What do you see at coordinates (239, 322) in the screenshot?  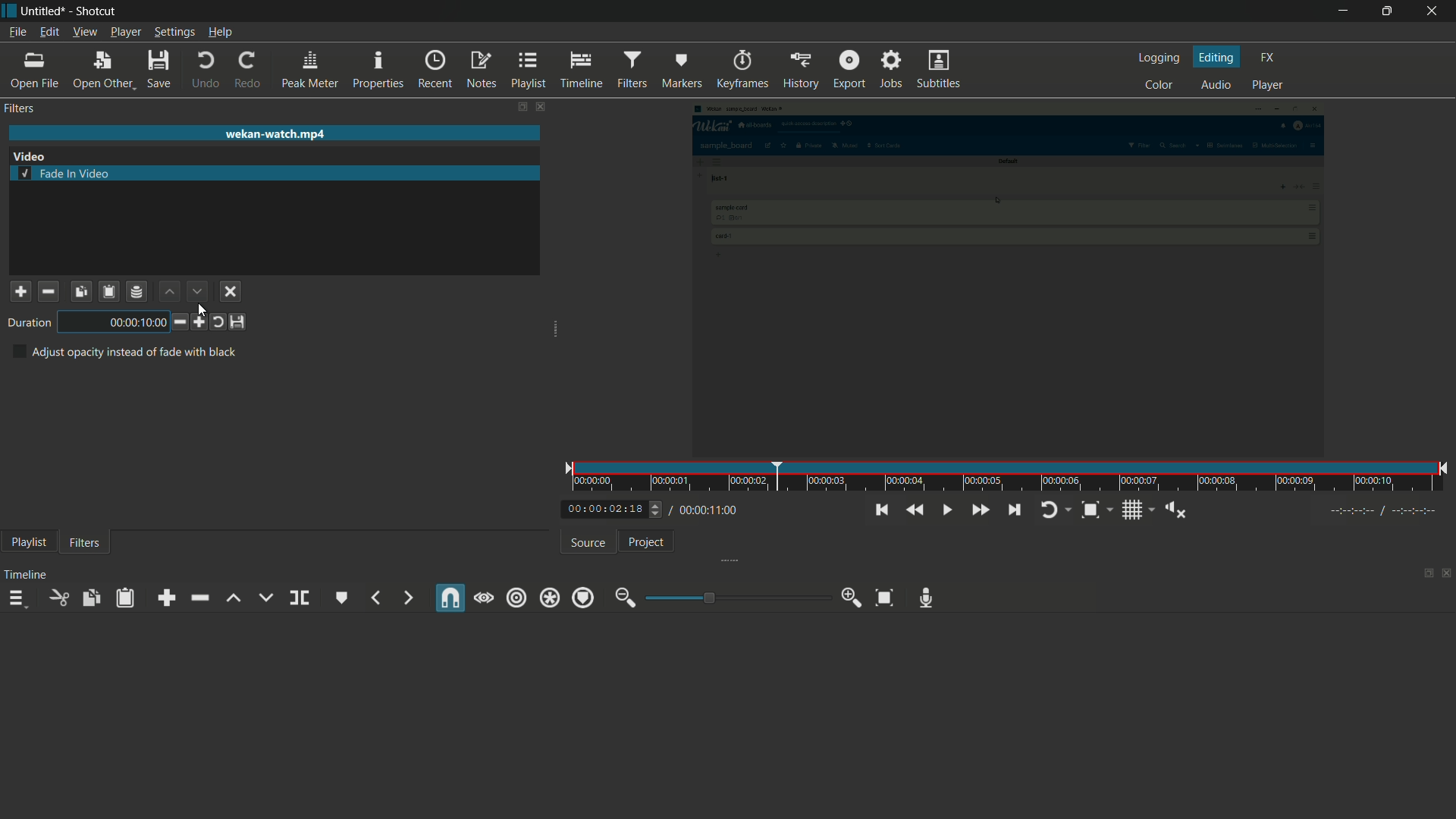 I see `set as default` at bounding box center [239, 322].